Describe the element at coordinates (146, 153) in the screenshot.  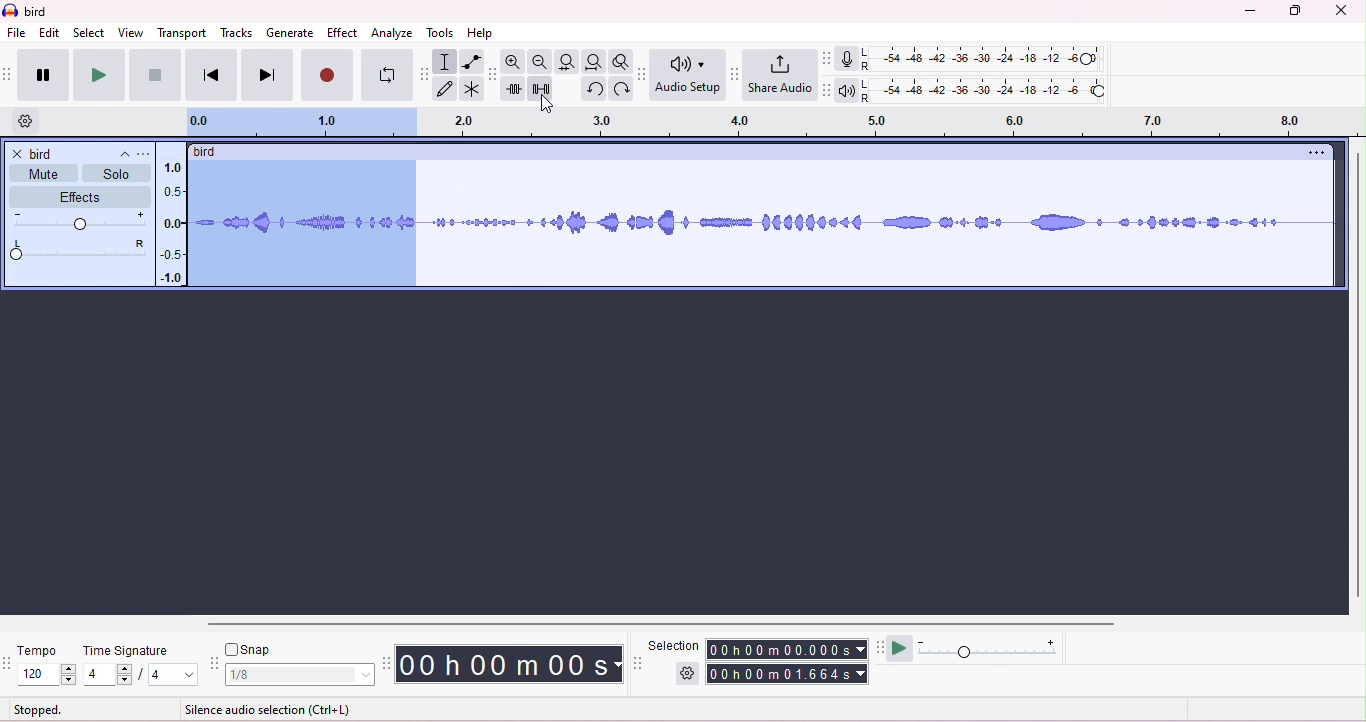
I see `track title` at that location.